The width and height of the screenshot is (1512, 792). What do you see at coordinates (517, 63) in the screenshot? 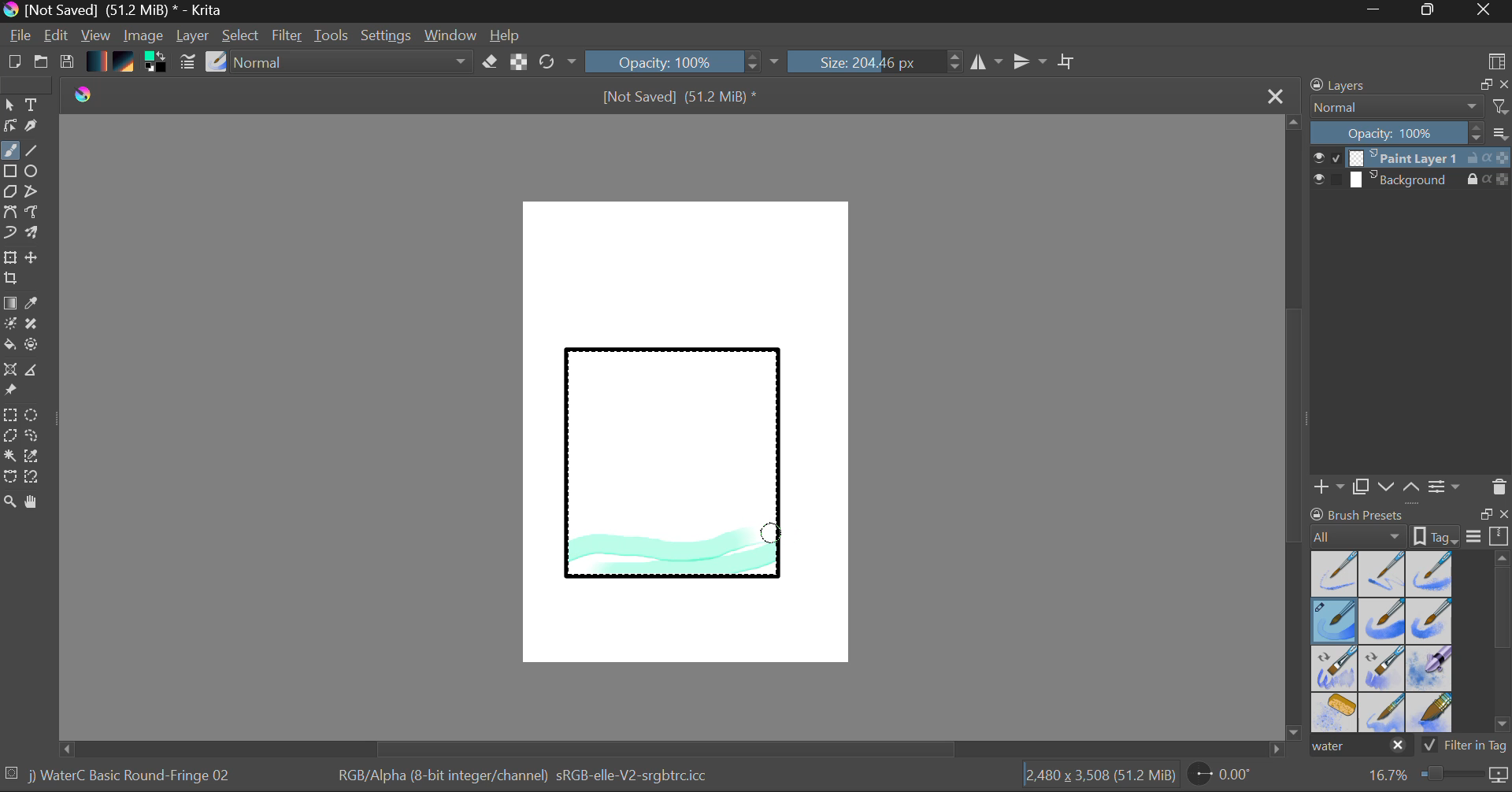
I see `Lock Alpha` at bounding box center [517, 63].